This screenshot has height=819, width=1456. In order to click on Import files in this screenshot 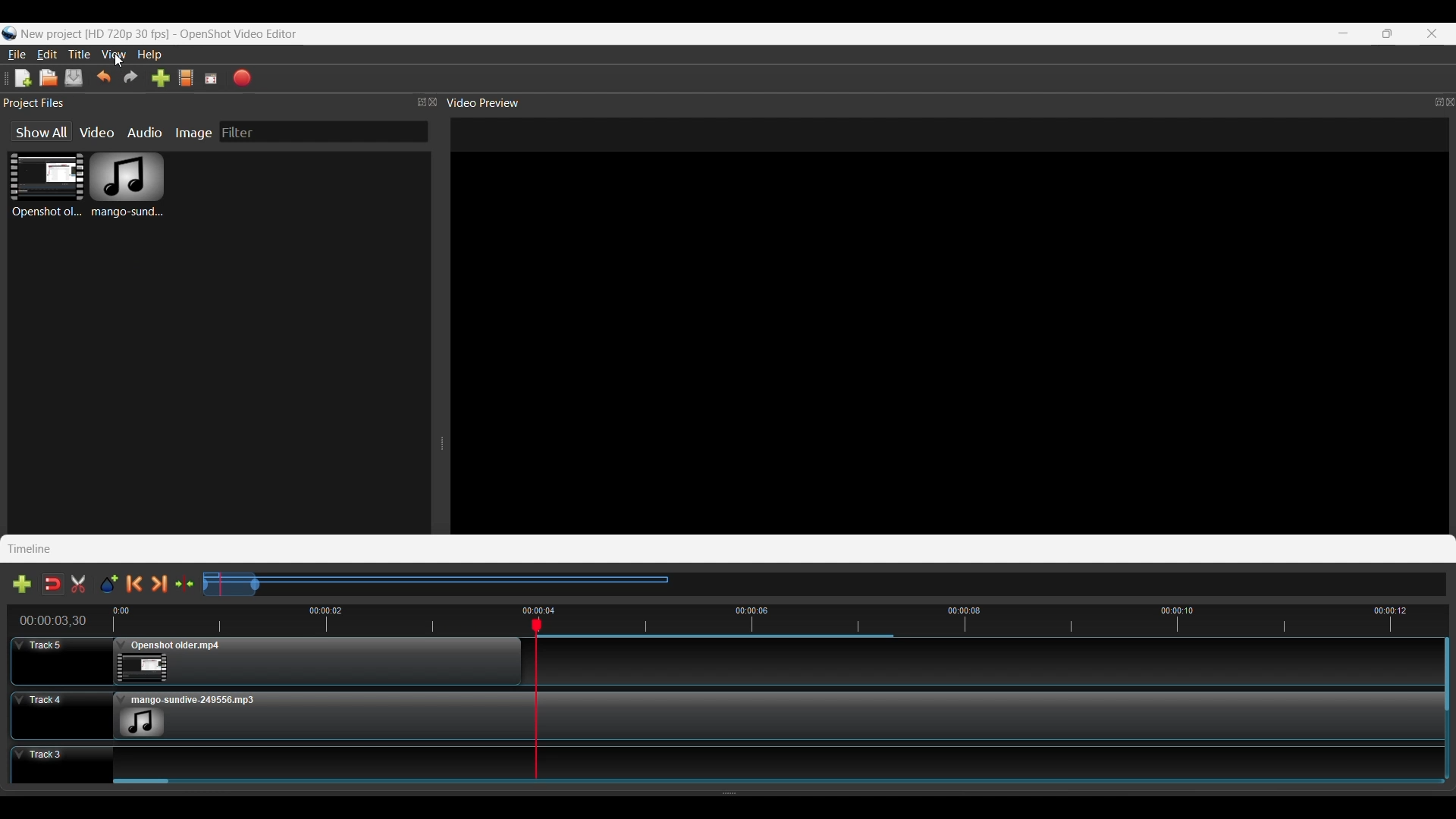, I will do `click(161, 78)`.